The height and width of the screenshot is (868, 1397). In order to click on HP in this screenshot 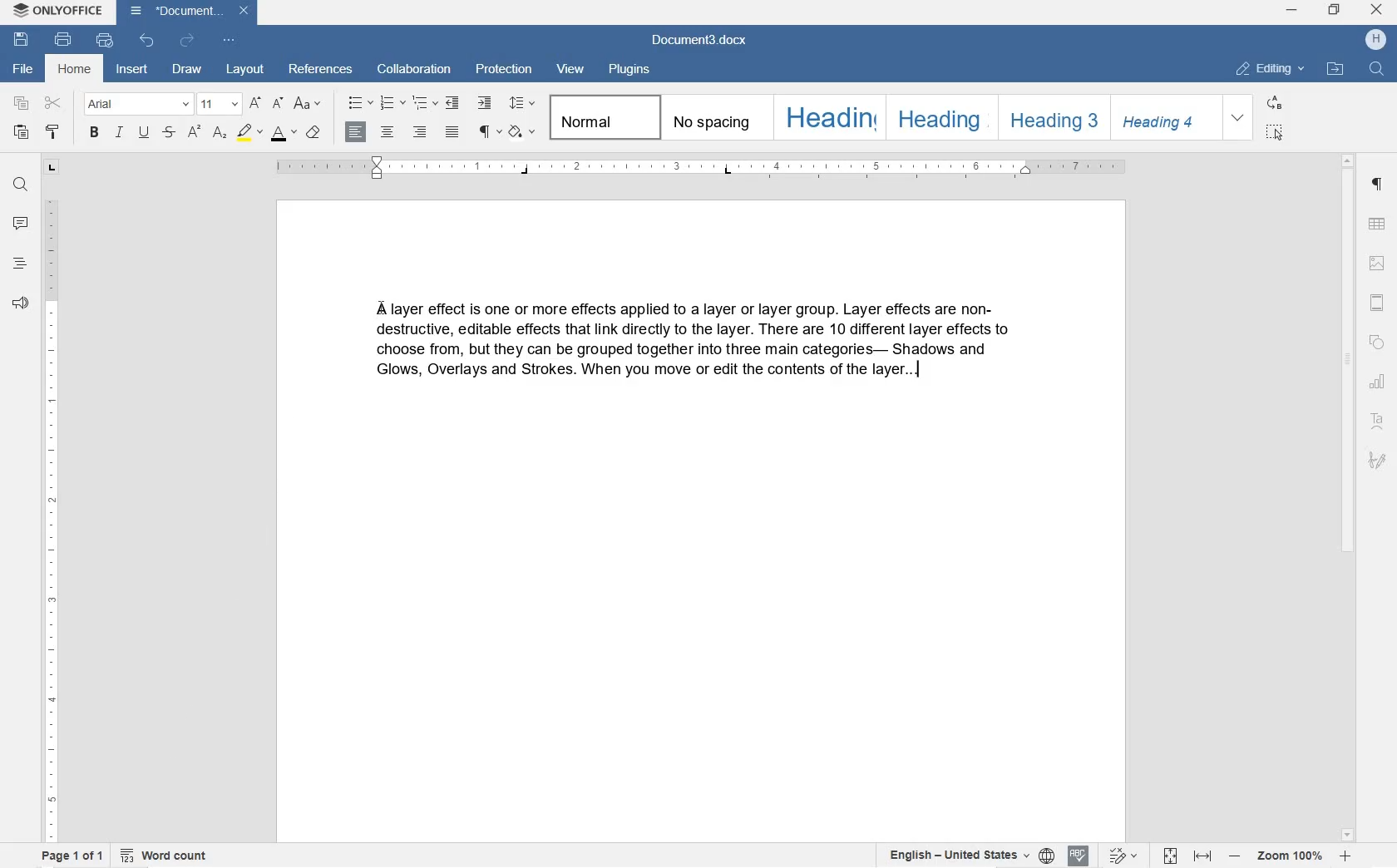, I will do `click(1375, 40)`.